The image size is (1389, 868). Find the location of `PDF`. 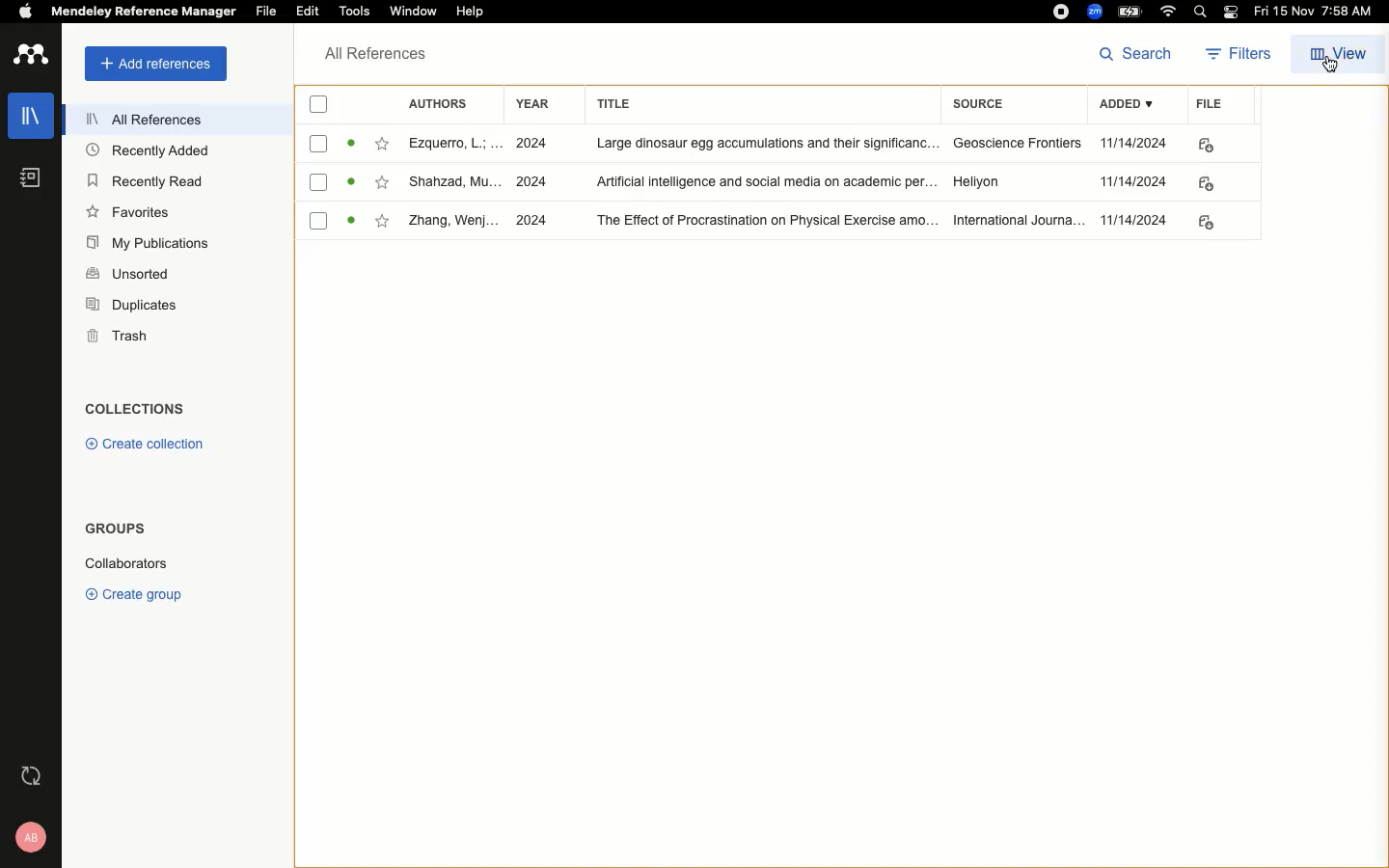

PDF is located at coordinates (1211, 182).